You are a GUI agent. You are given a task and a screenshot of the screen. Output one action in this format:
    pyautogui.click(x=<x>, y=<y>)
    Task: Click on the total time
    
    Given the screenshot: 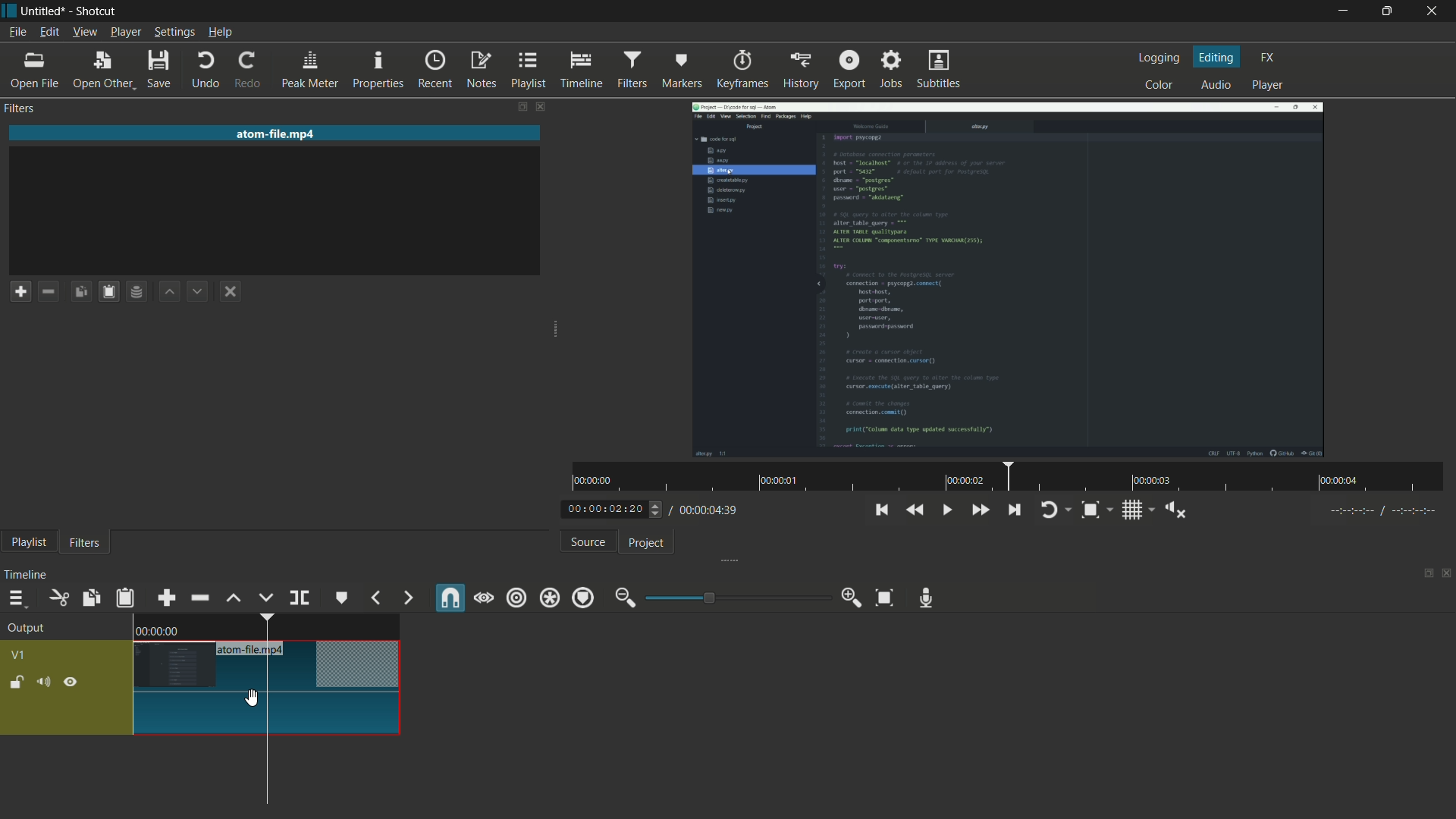 What is the action you would take?
    pyautogui.click(x=708, y=510)
    